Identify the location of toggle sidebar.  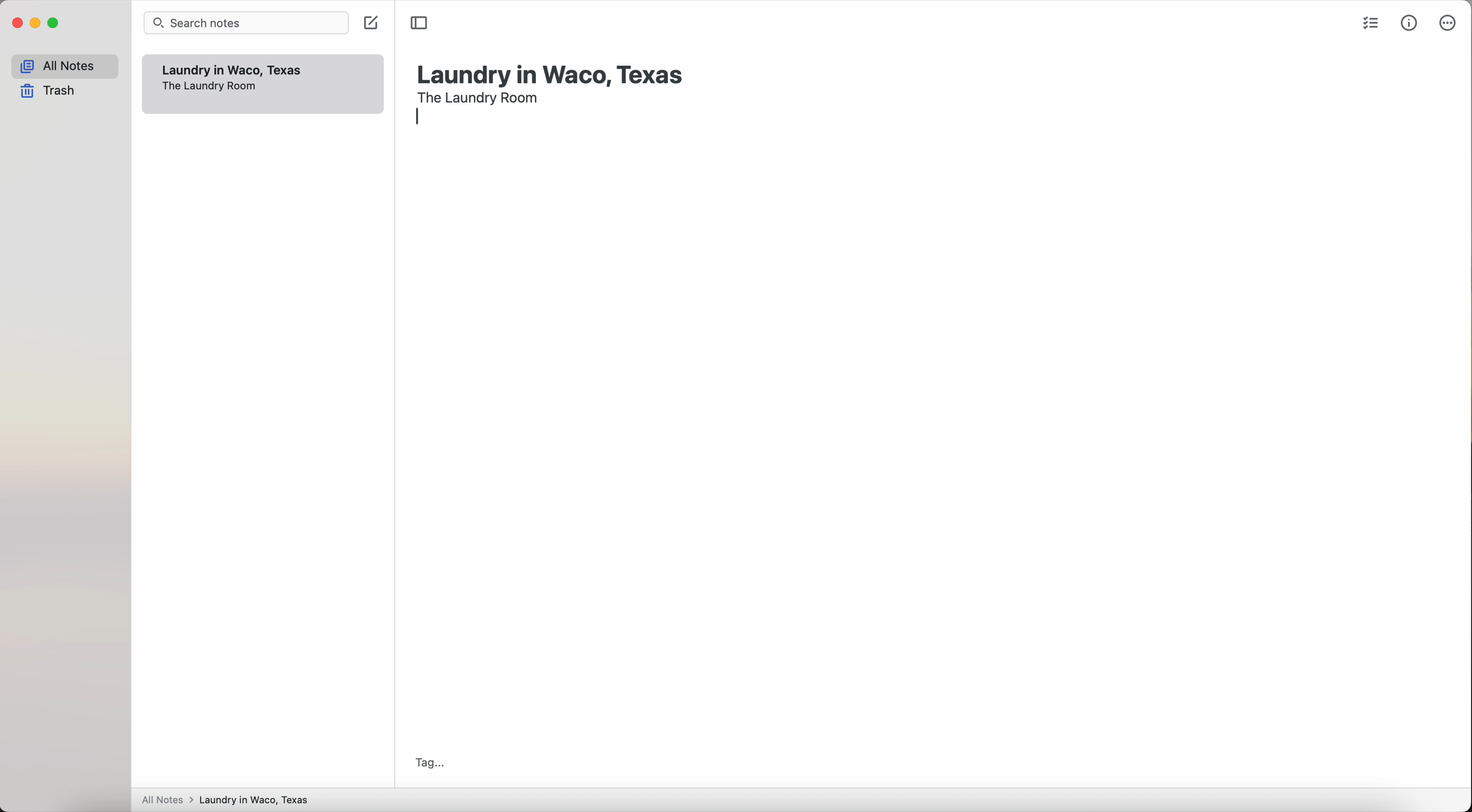
(419, 23).